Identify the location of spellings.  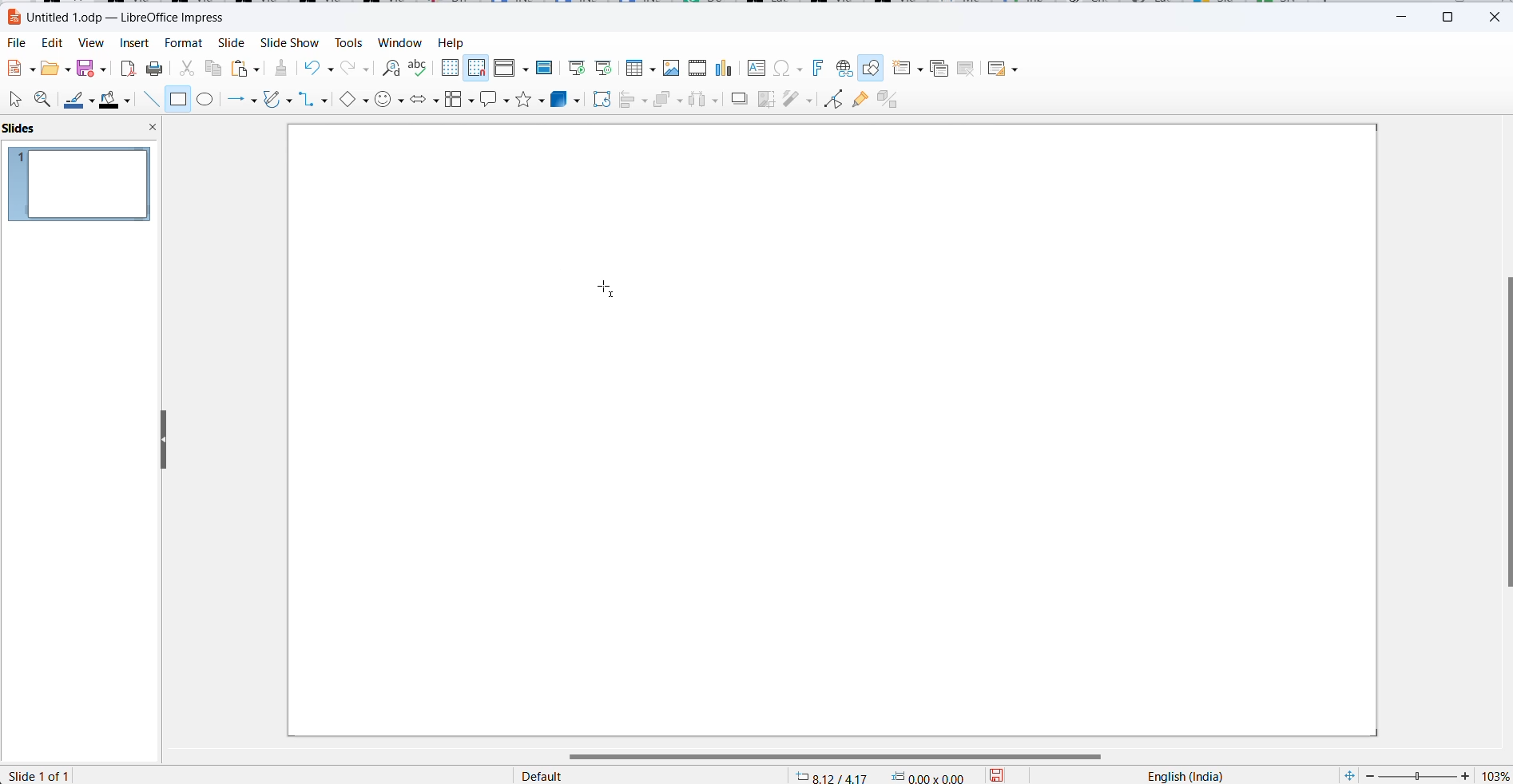
(419, 68).